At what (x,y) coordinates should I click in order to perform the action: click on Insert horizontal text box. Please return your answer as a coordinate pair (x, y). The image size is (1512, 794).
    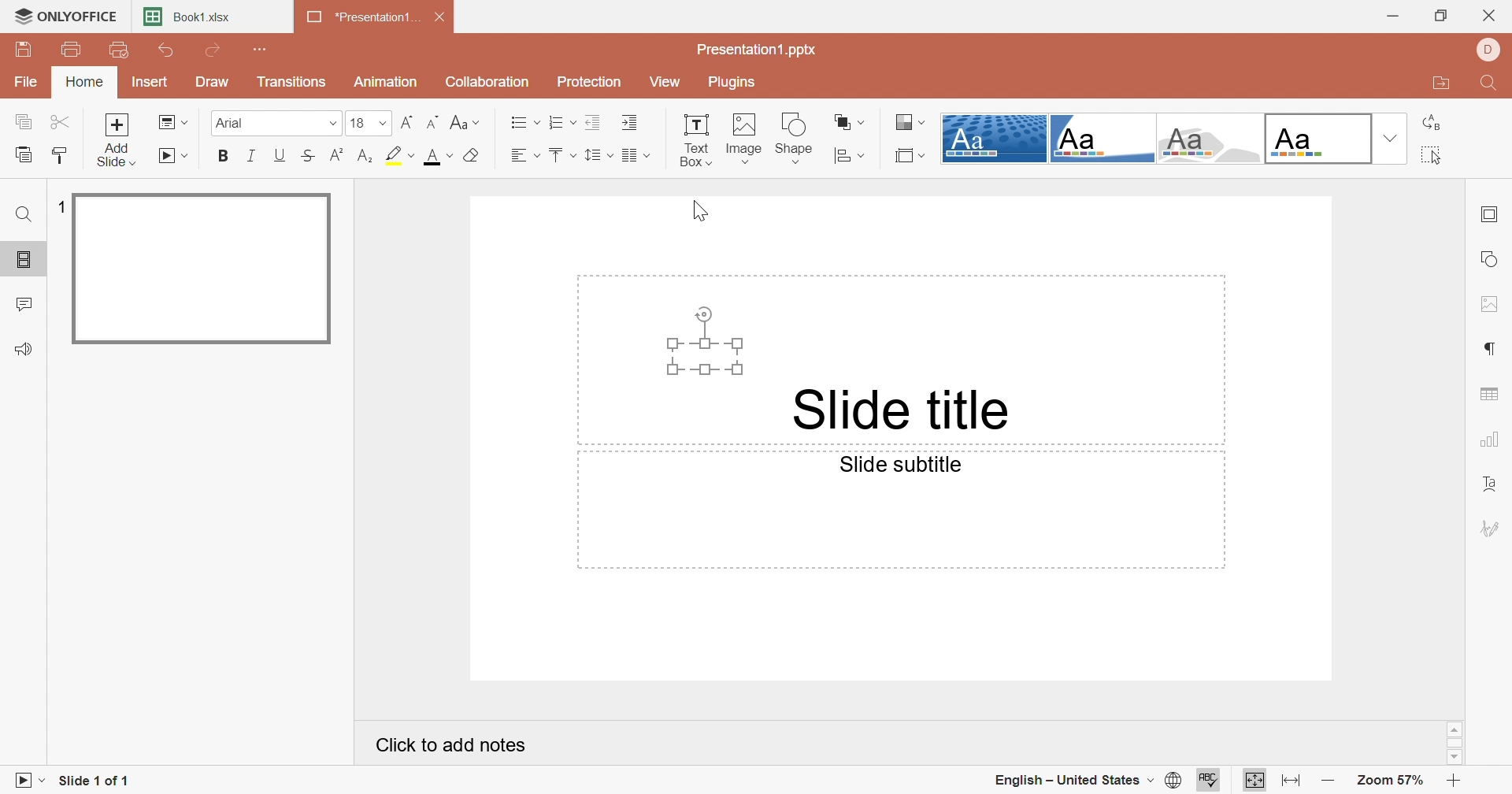
    Looking at the image, I should click on (797, 154).